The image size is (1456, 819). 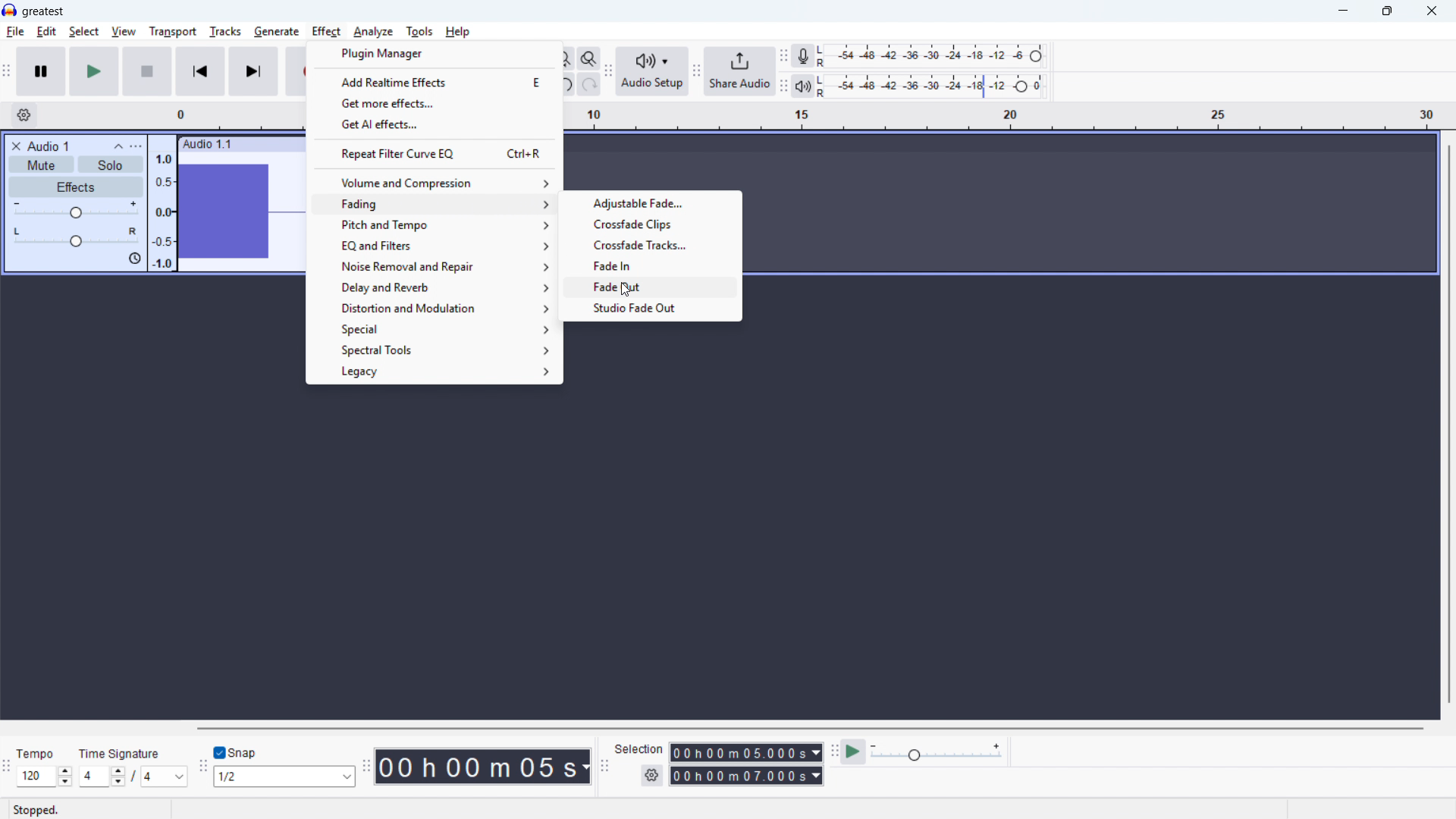 What do you see at coordinates (802, 56) in the screenshot?
I see `Recording metre ` at bounding box center [802, 56].